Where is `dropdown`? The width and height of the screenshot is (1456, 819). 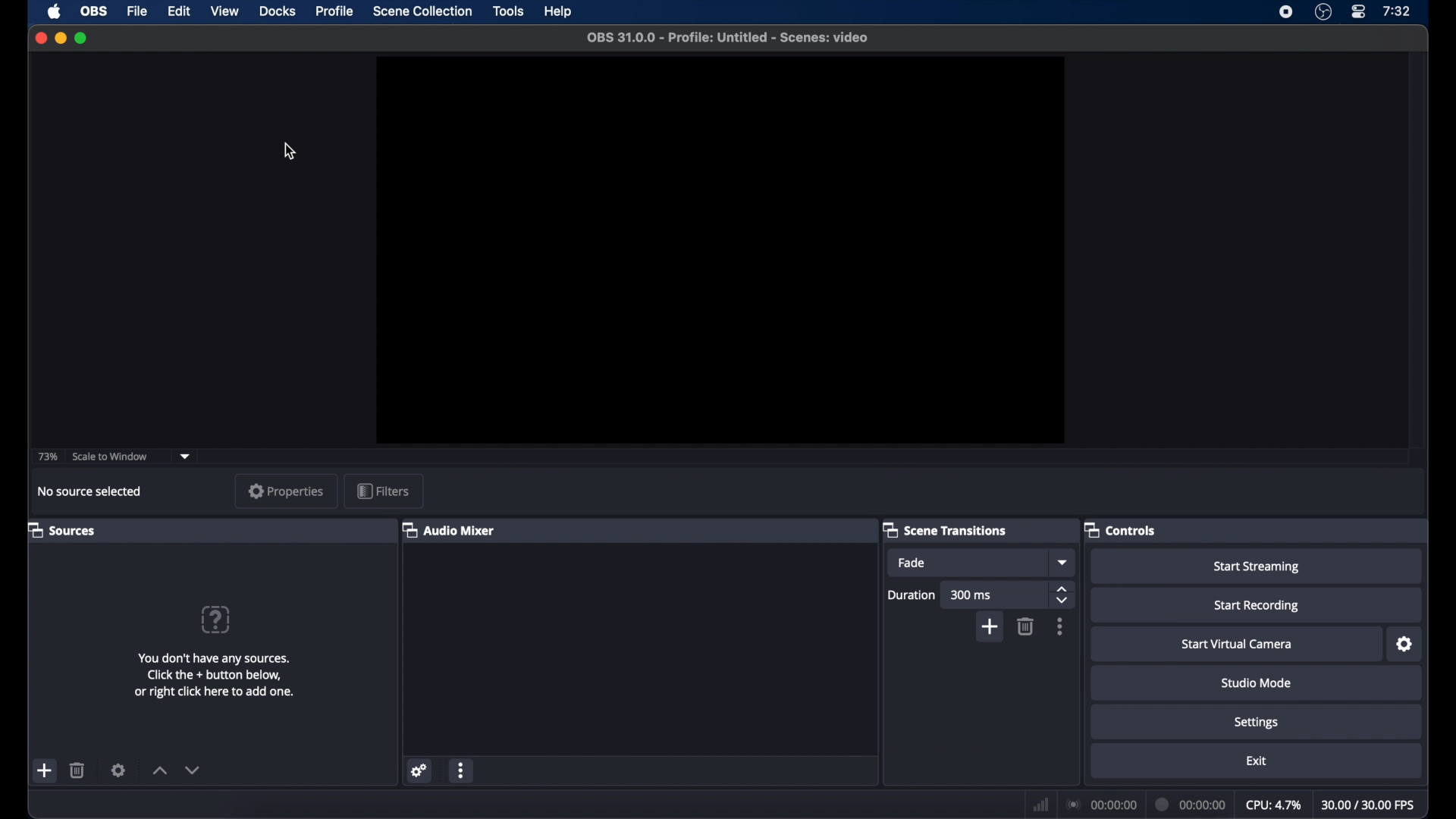 dropdown is located at coordinates (188, 455).